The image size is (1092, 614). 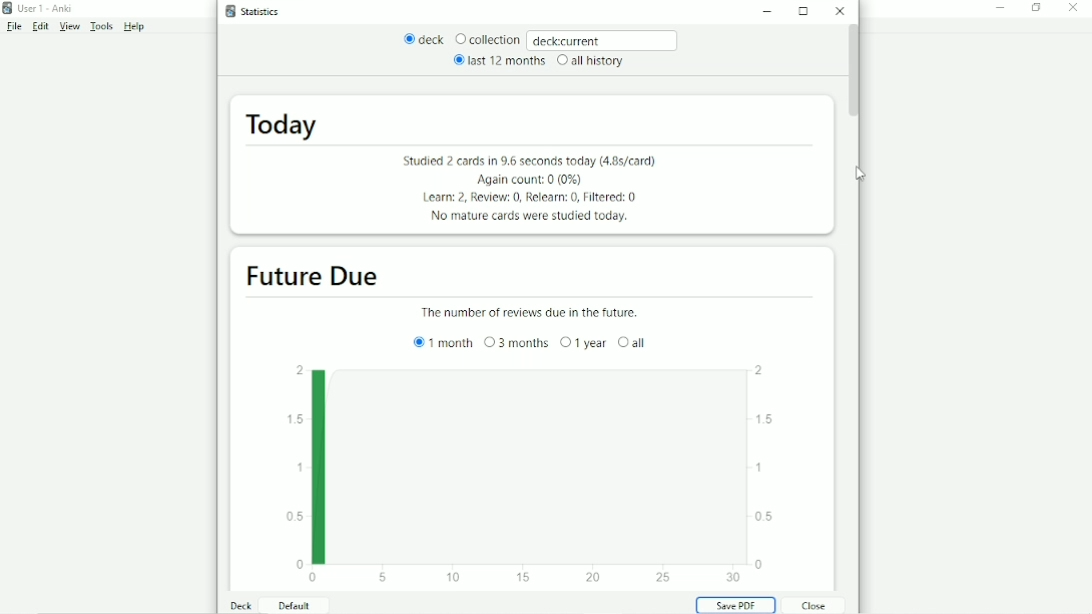 What do you see at coordinates (257, 11) in the screenshot?
I see `Statistics` at bounding box center [257, 11].